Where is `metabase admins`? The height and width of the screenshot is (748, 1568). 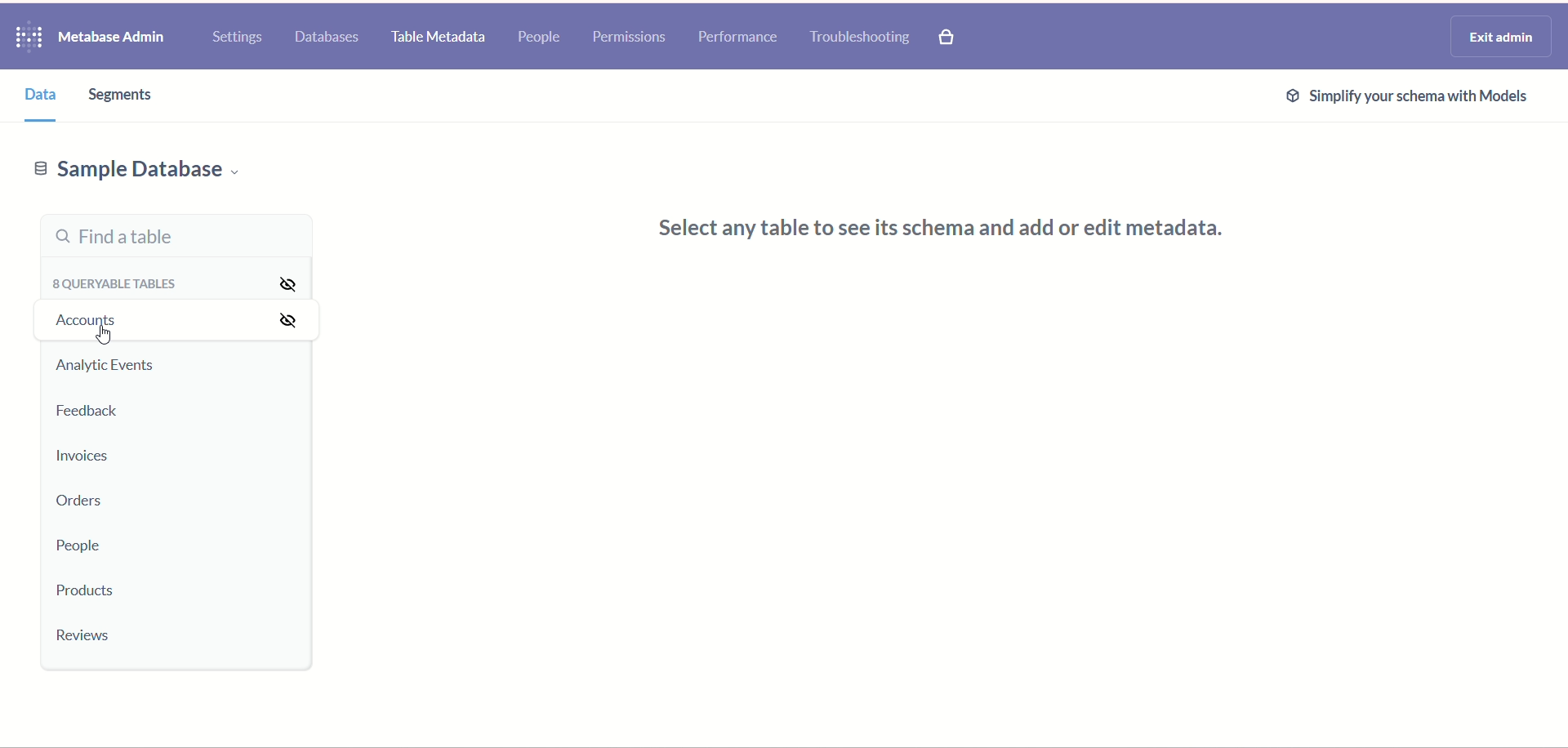
metabase admins is located at coordinates (111, 38).